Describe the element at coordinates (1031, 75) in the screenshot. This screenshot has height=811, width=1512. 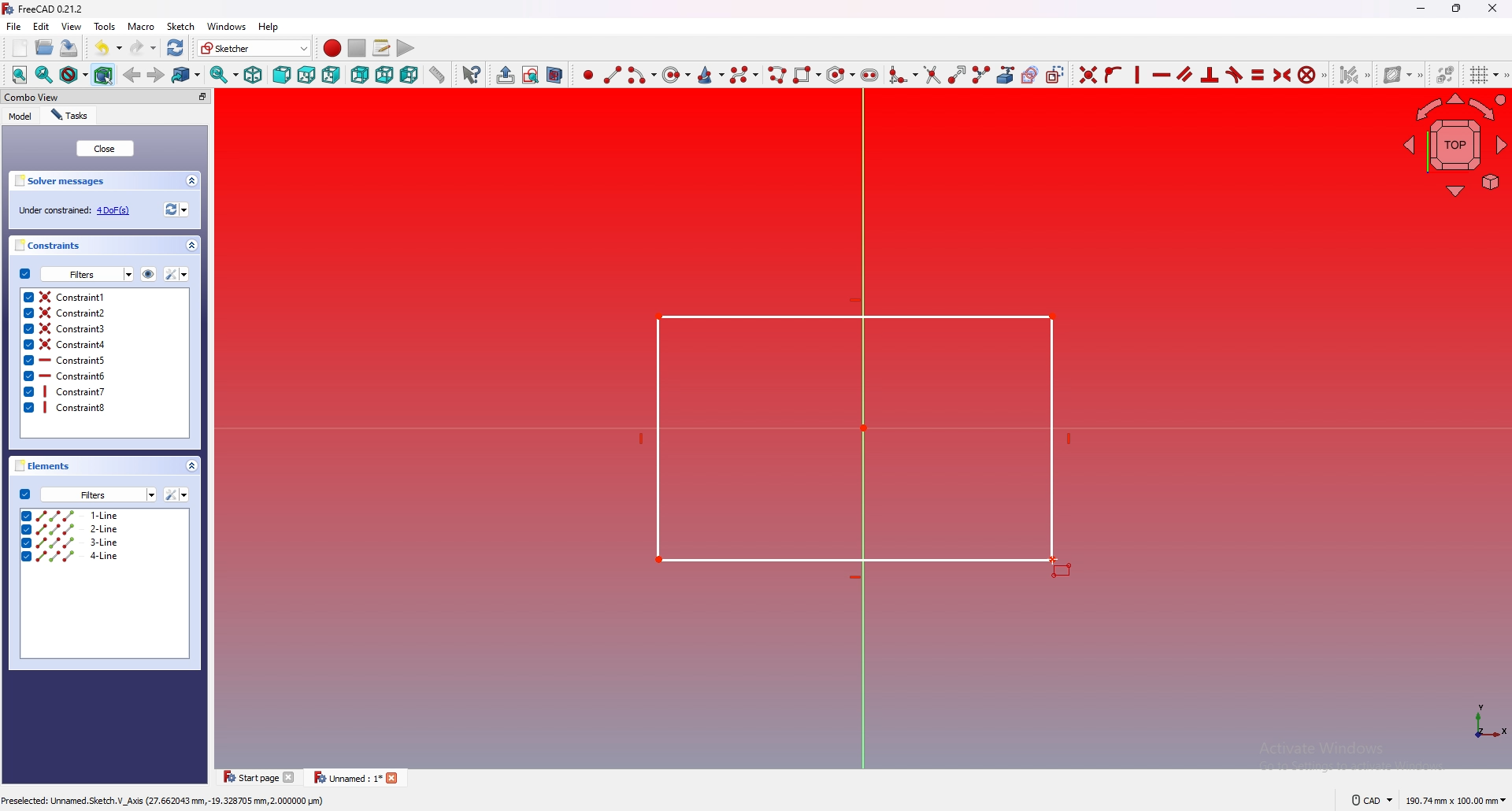
I see `create carbon copy` at that location.